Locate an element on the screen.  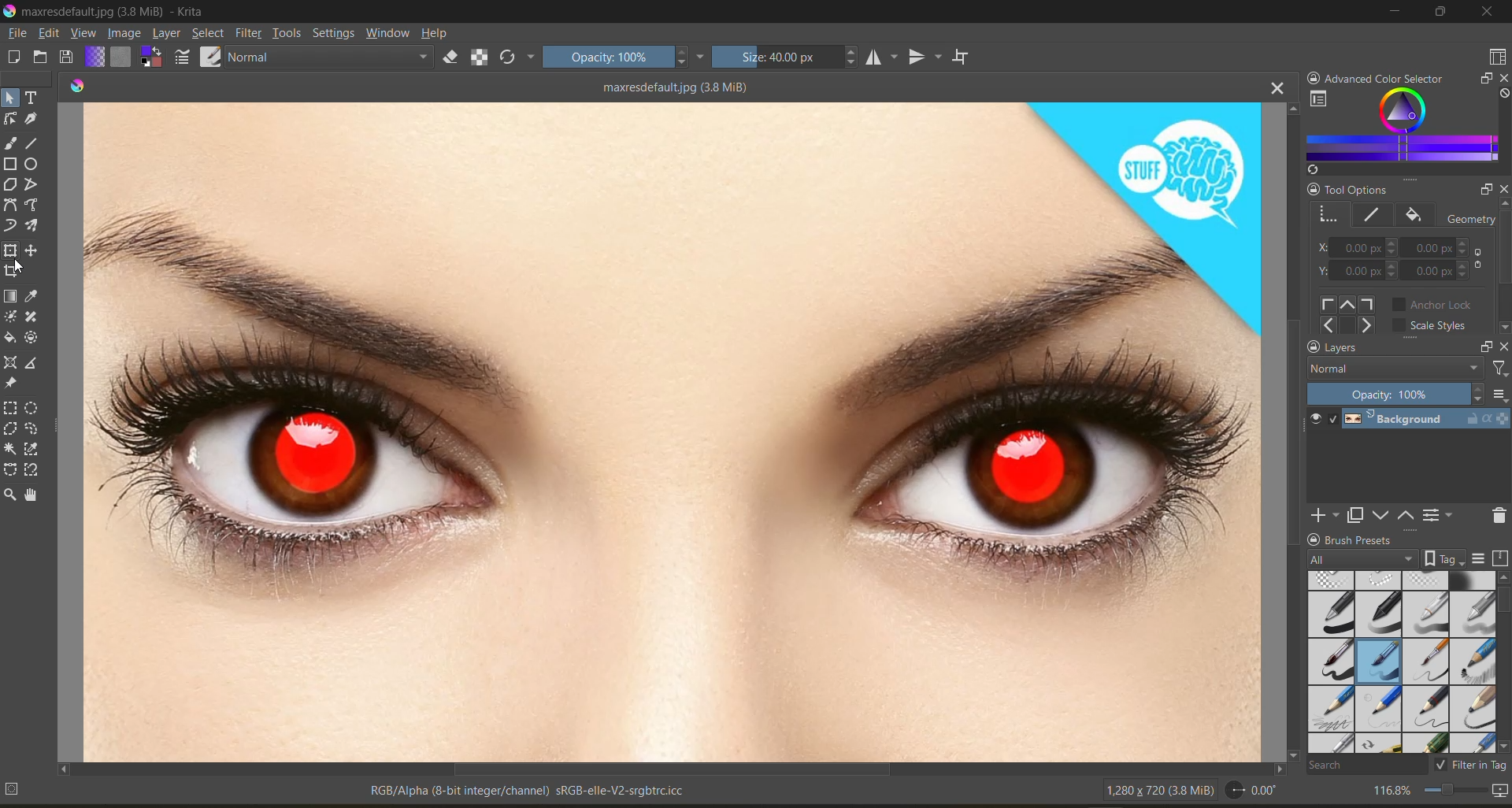
lock docker is located at coordinates (1311, 75).